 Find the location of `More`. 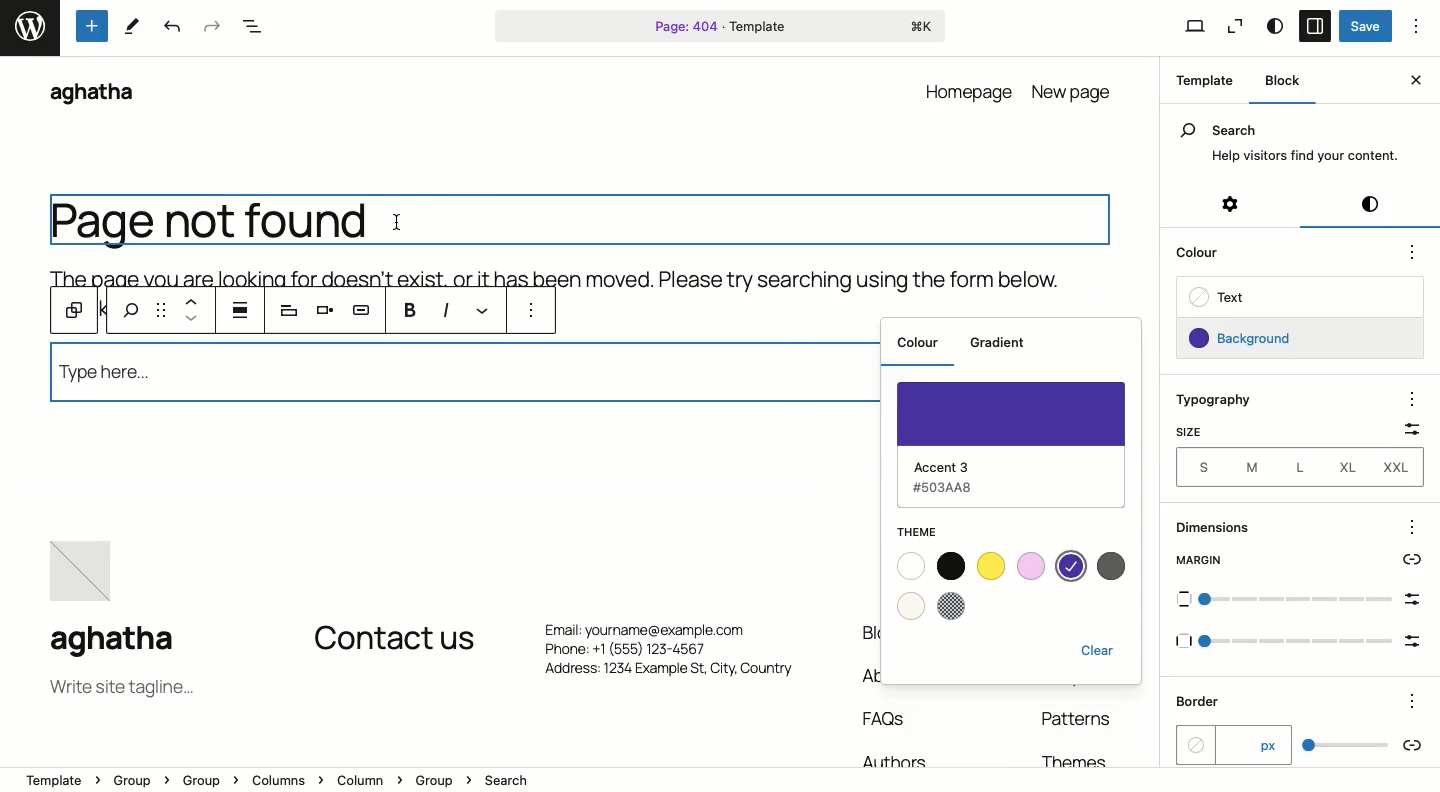

More is located at coordinates (536, 312).